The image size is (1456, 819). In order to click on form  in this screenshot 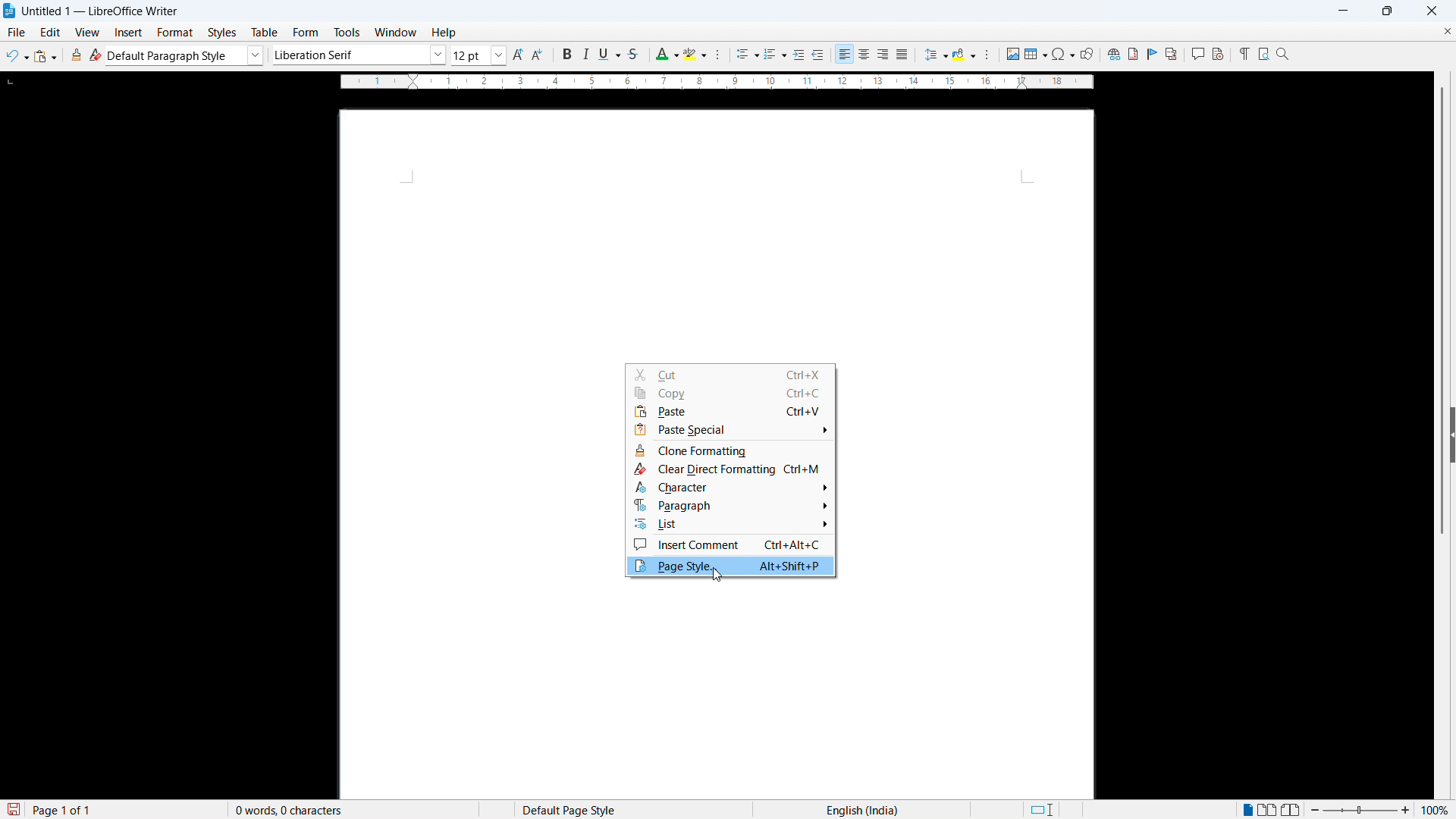, I will do `click(306, 33)`.